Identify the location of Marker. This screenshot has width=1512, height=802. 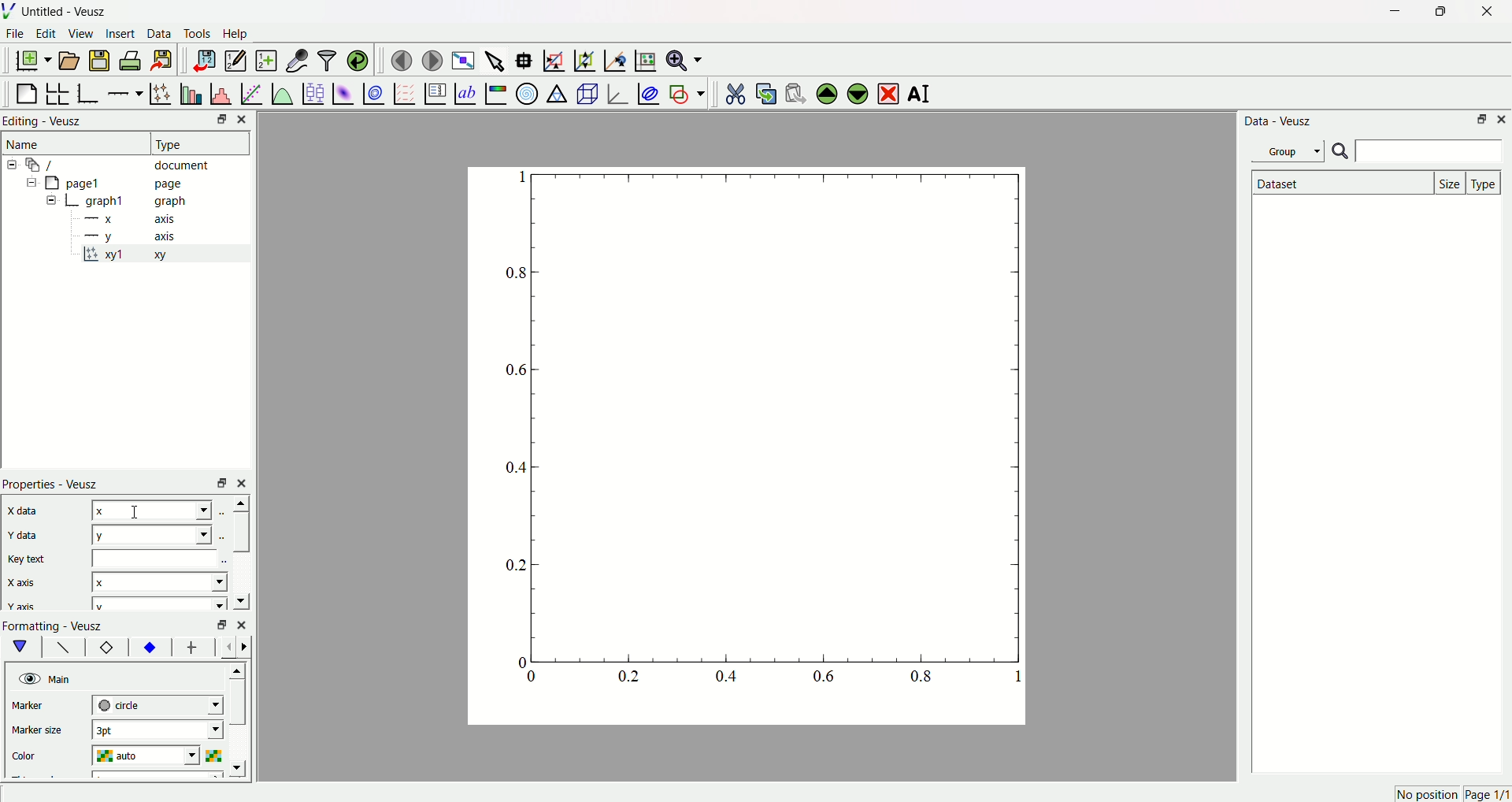
(42, 707).